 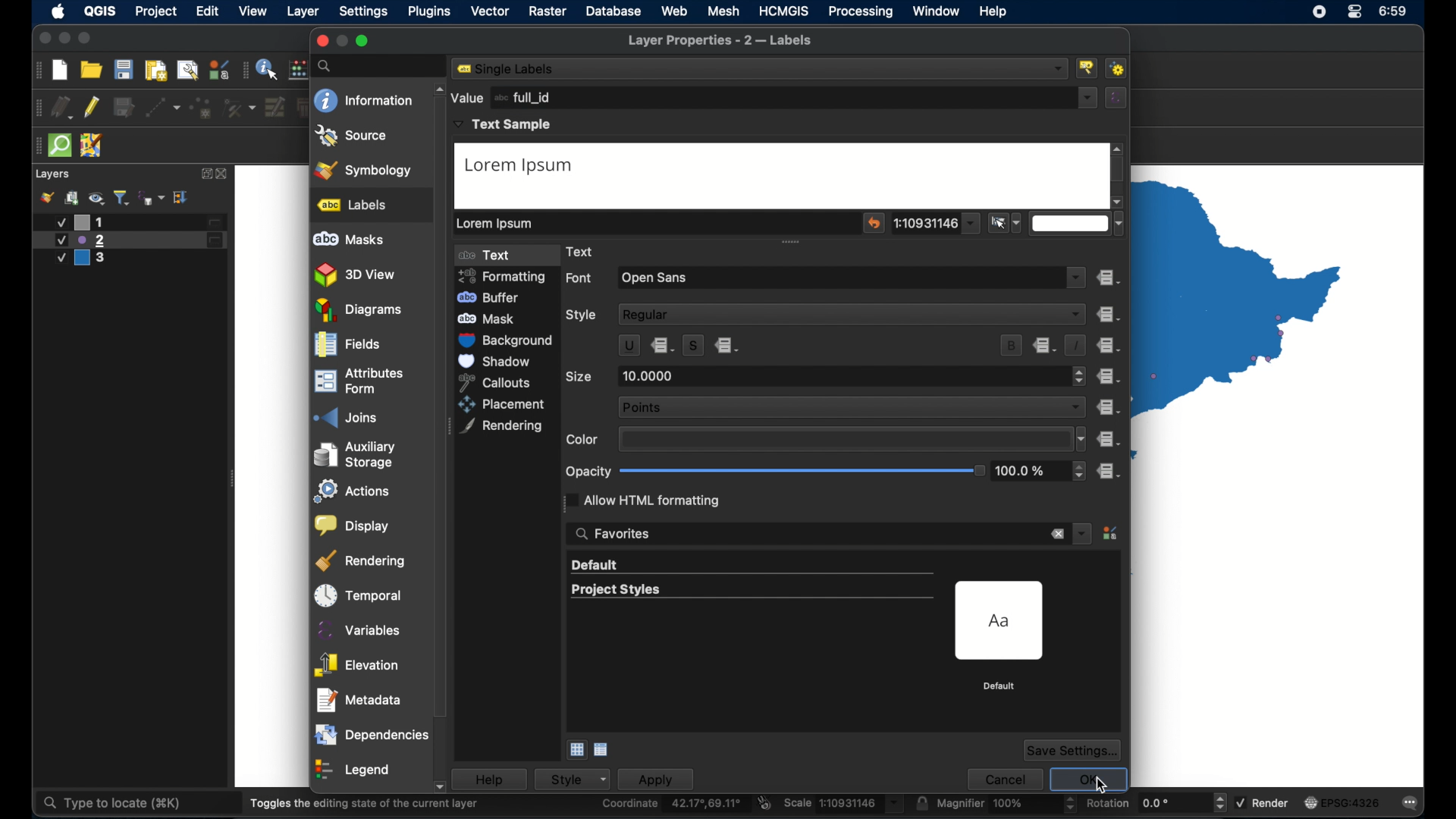 What do you see at coordinates (275, 107) in the screenshot?
I see `modify attributes` at bounding box center [275, 107].